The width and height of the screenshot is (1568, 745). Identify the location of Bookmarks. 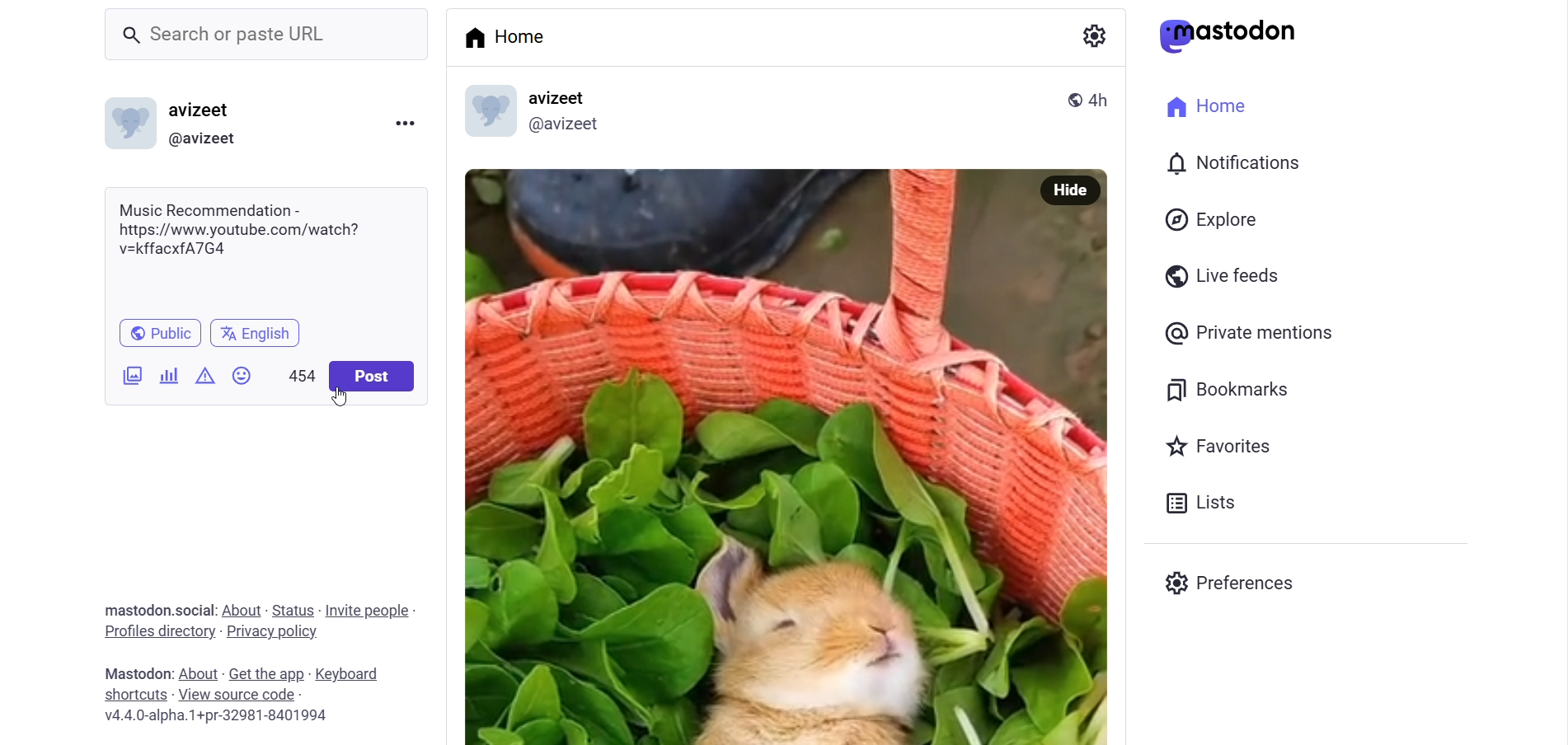
(1226, 388).